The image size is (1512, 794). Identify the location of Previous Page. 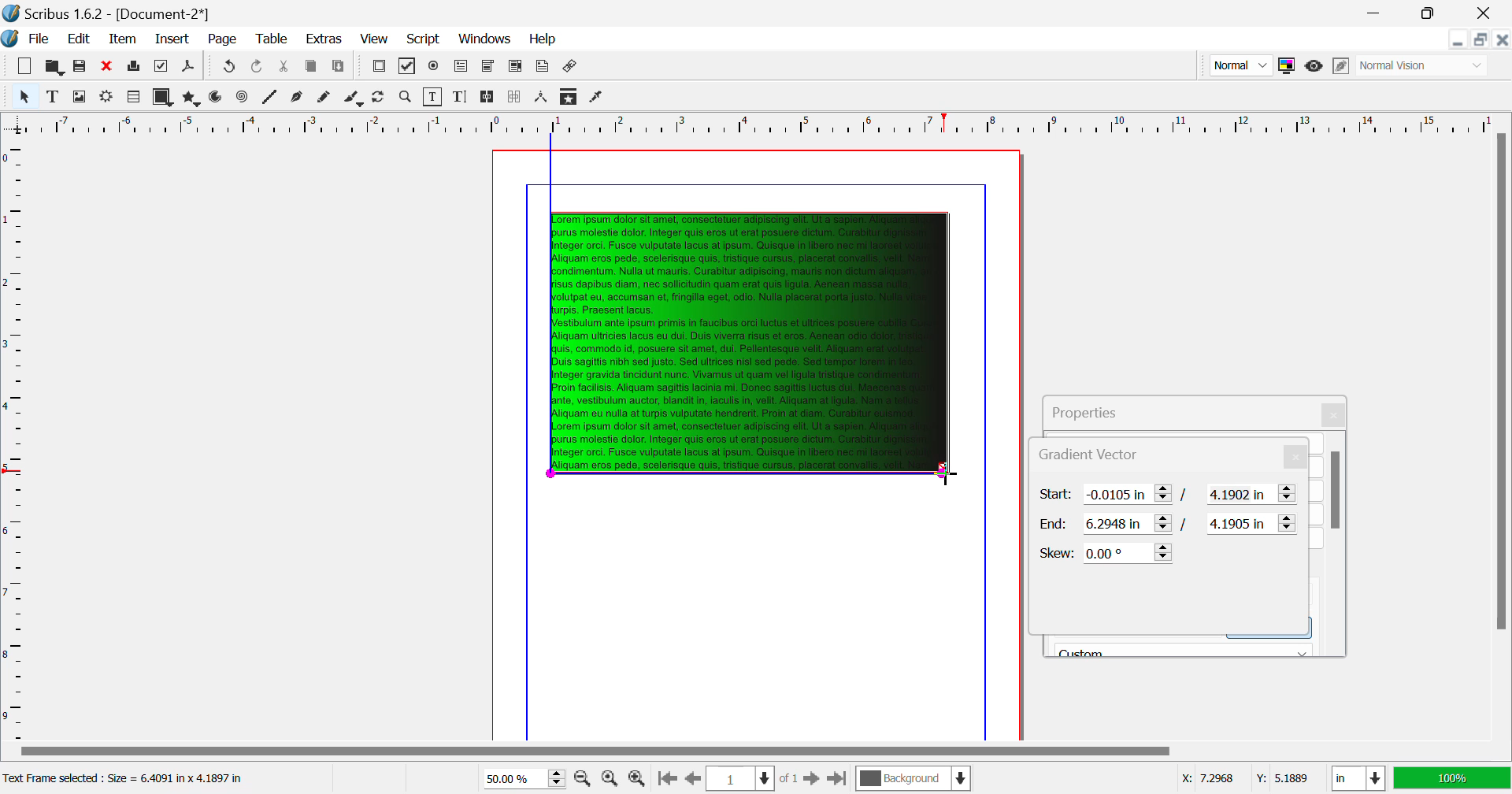
(691, 779).